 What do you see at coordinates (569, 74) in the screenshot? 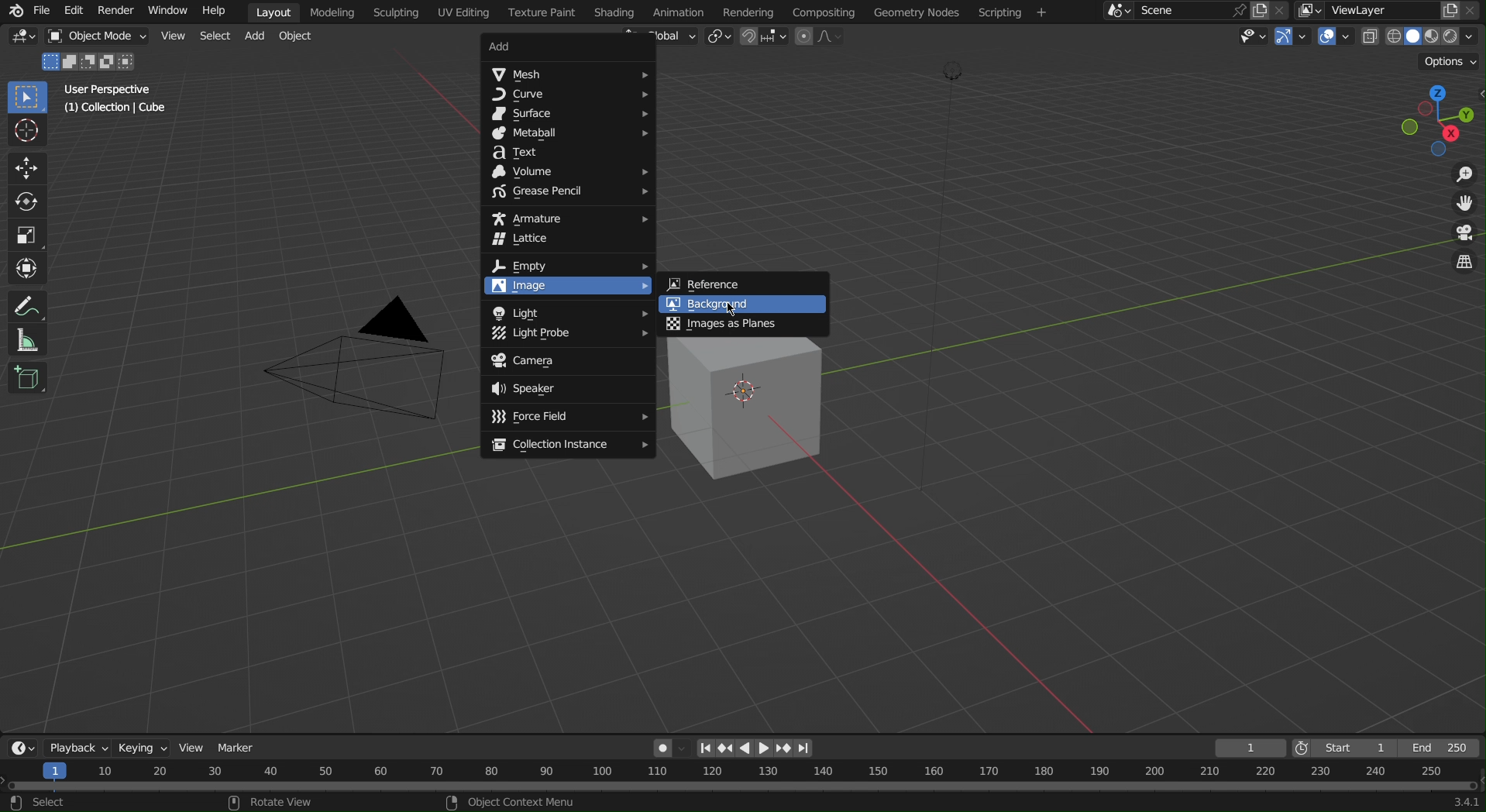
I see `Mesh` at bounding box center [569, 74].